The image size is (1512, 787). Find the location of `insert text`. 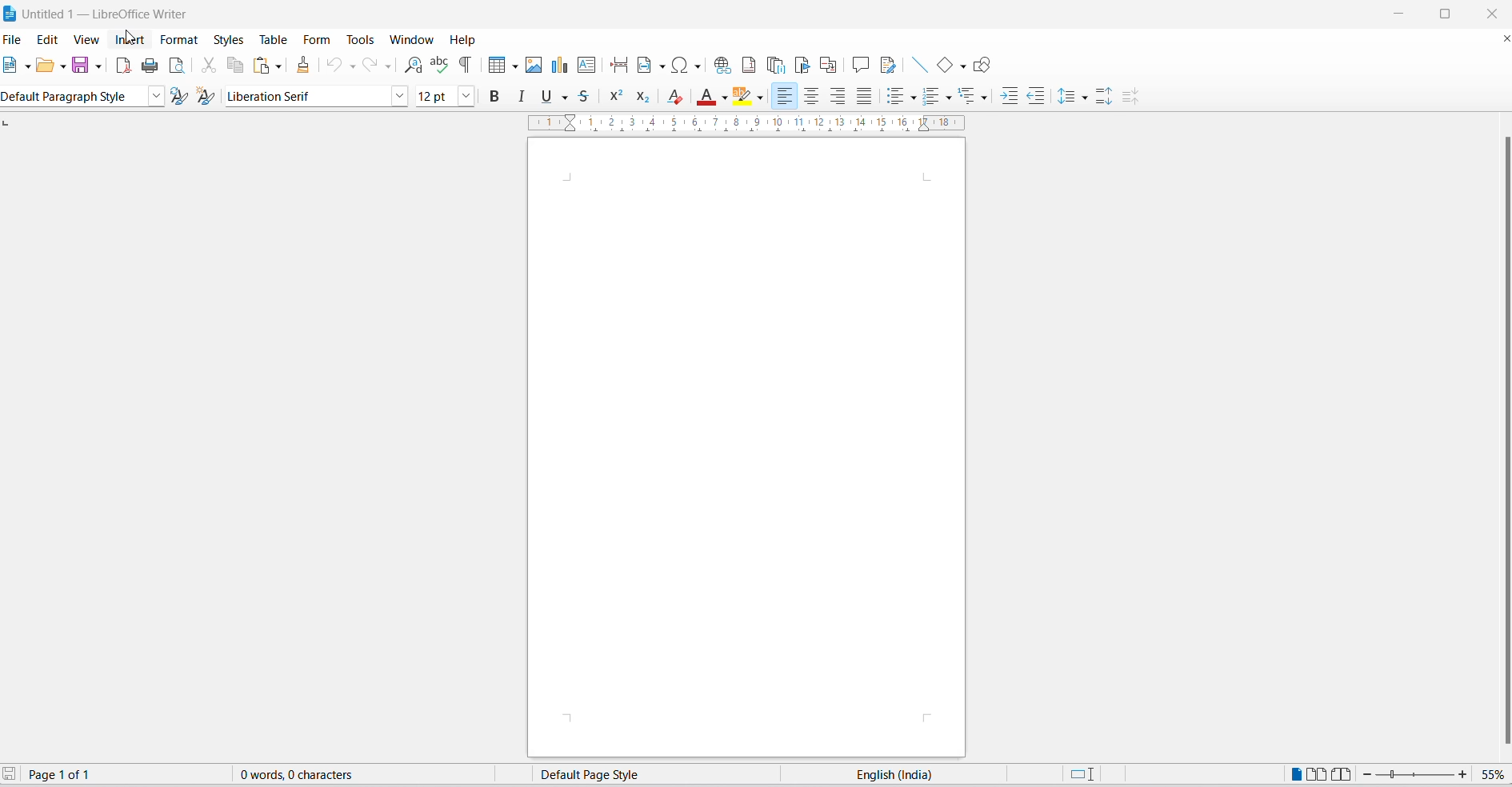

insert text is located at coordinates (588, 65).